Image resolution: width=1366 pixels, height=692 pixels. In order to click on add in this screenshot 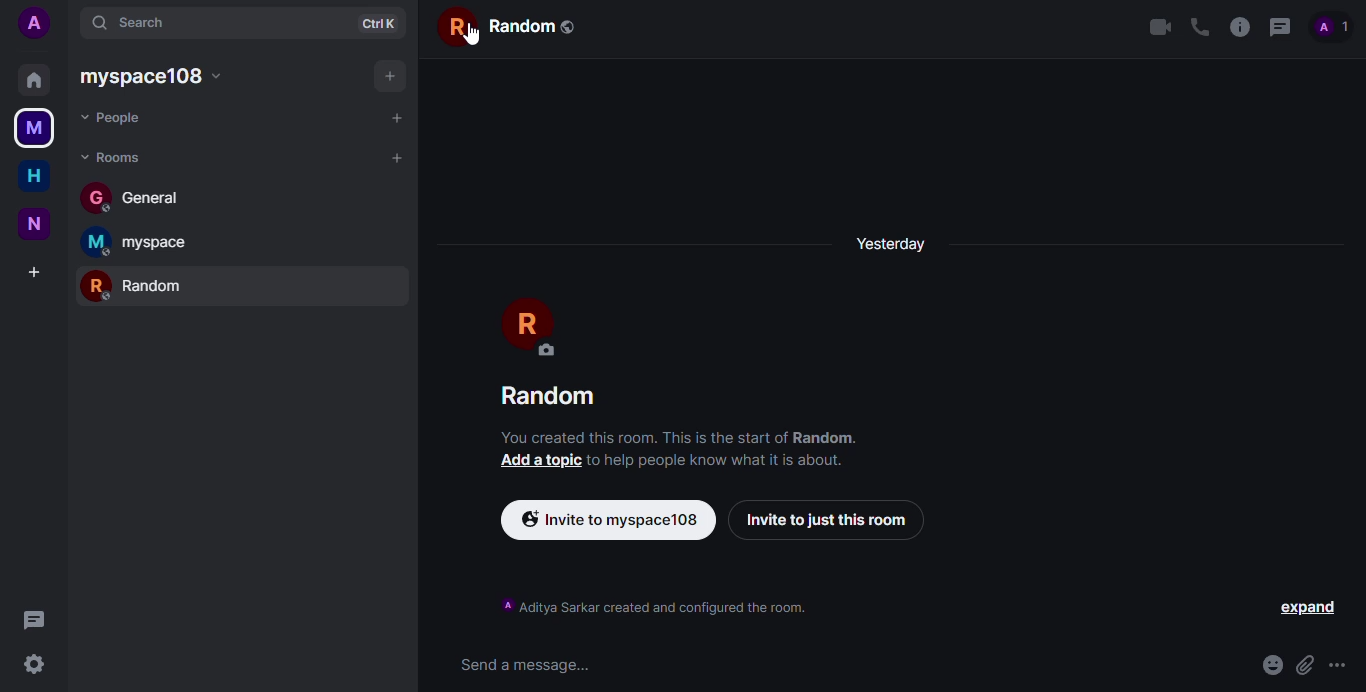, I will do `click(393, 116)`.